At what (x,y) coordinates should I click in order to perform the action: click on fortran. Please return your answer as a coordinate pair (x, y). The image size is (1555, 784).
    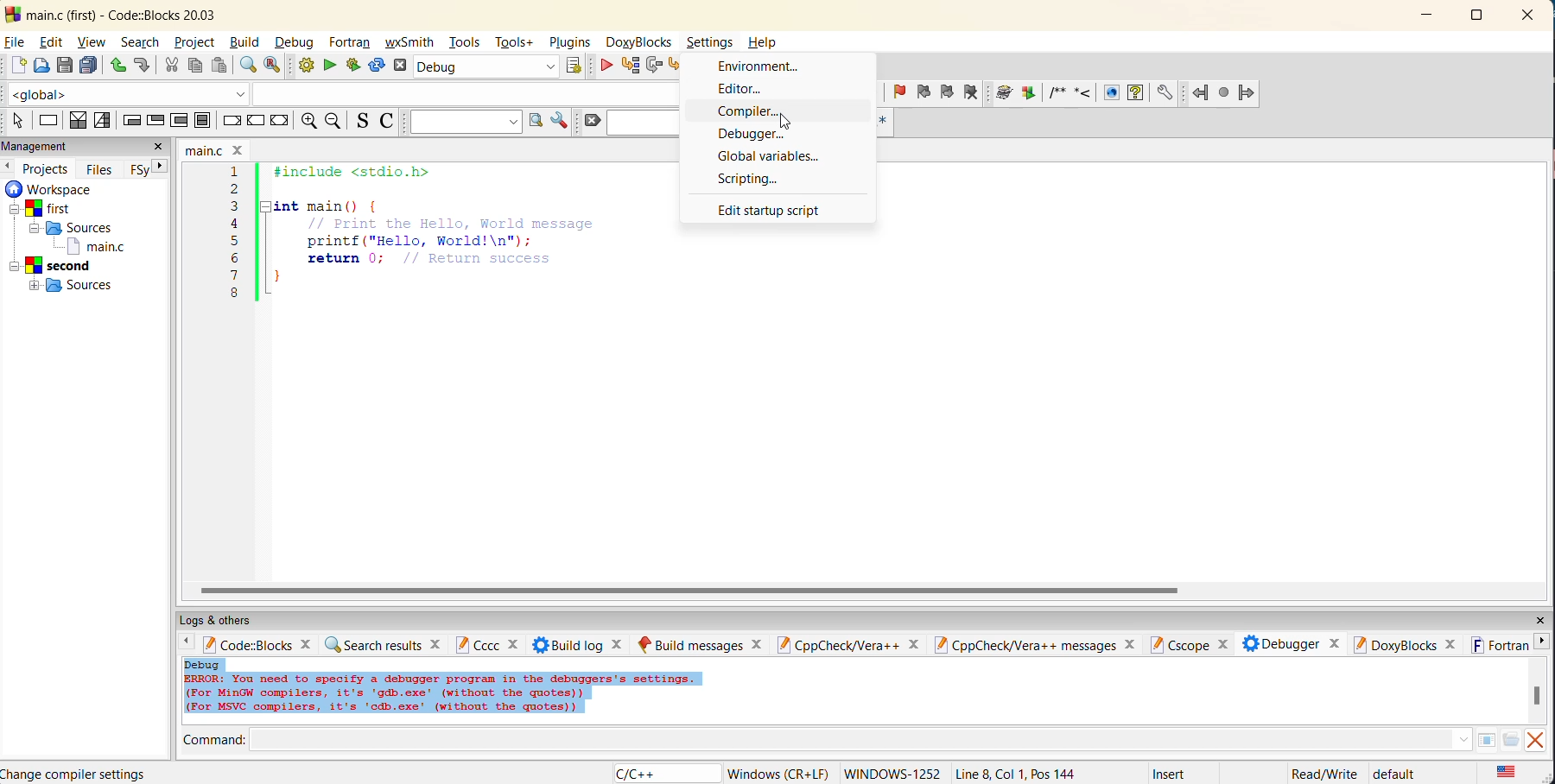
    Looking at the image, I should click on (352, 42).